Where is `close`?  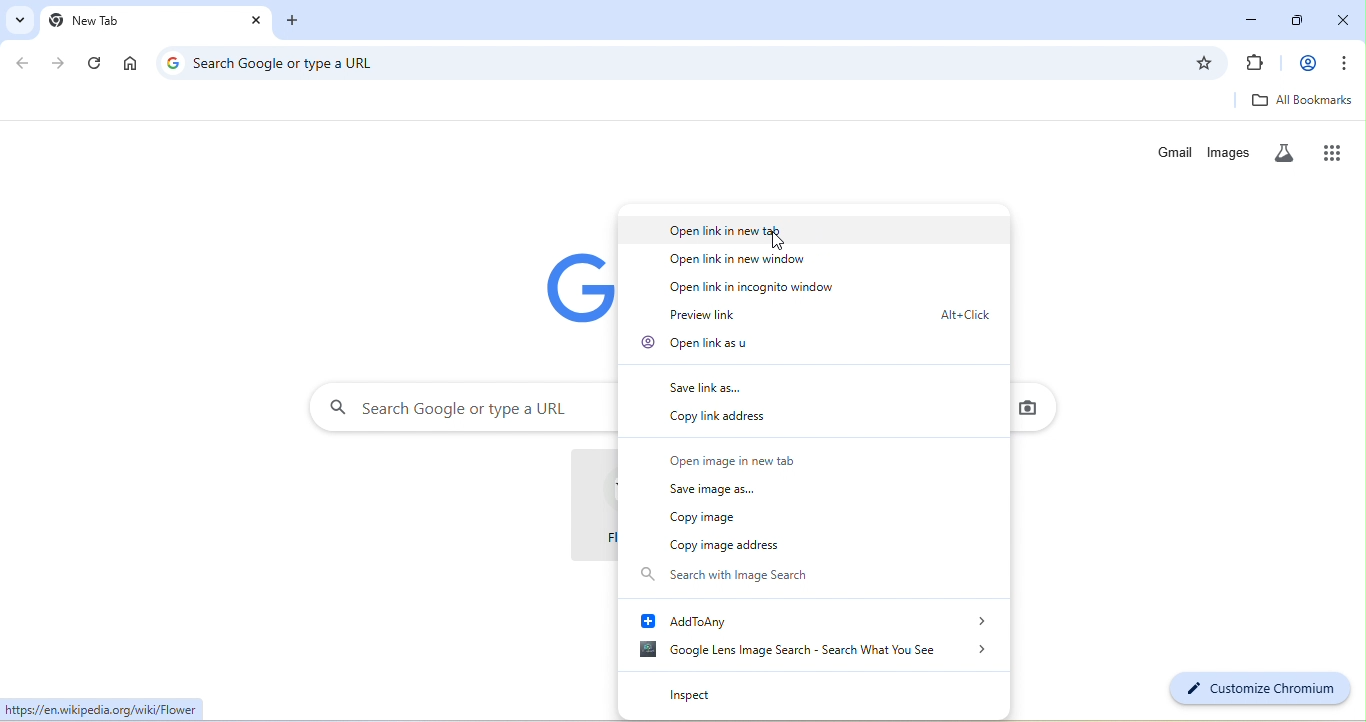
close is located at coordinates (257, 21).